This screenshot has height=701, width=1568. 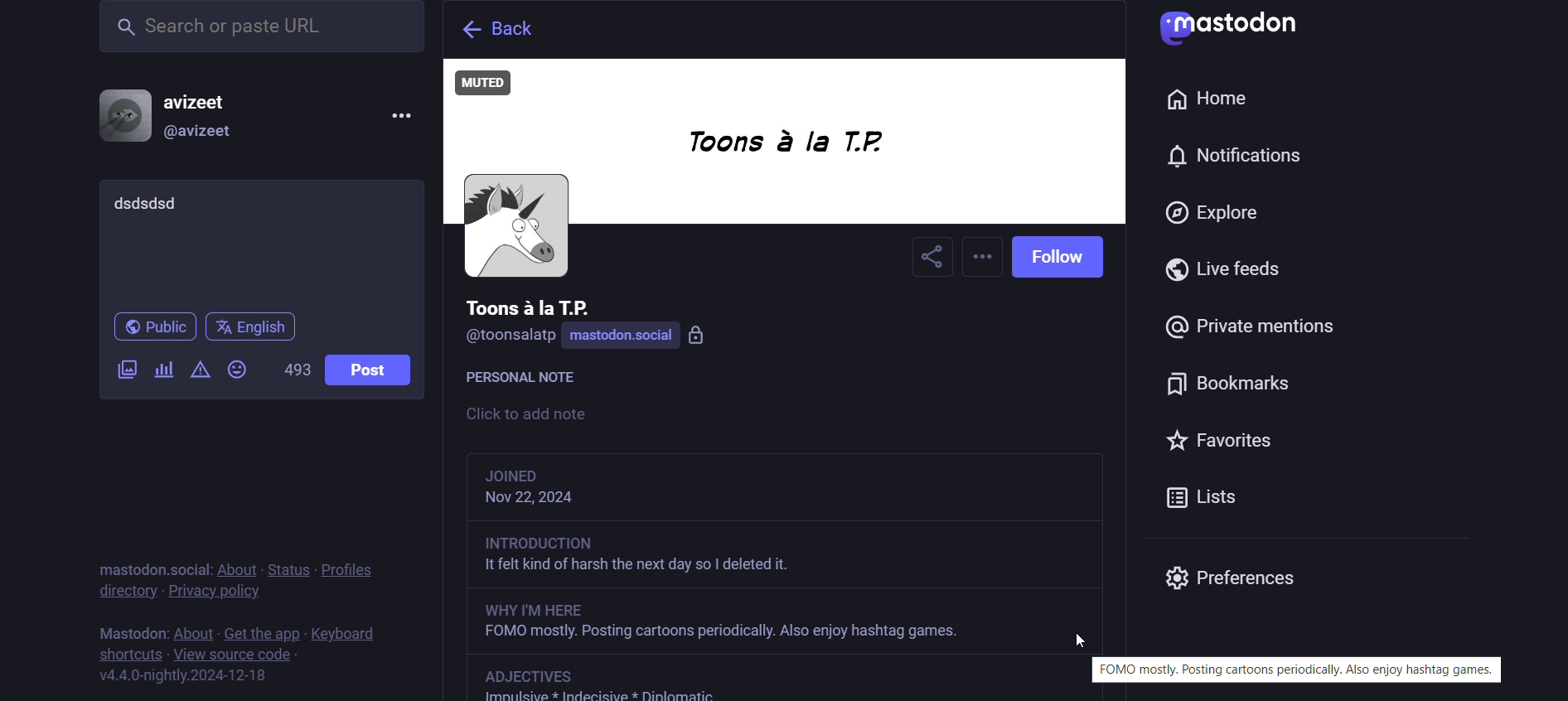 I want to click on back, so click(x=492, y=30).